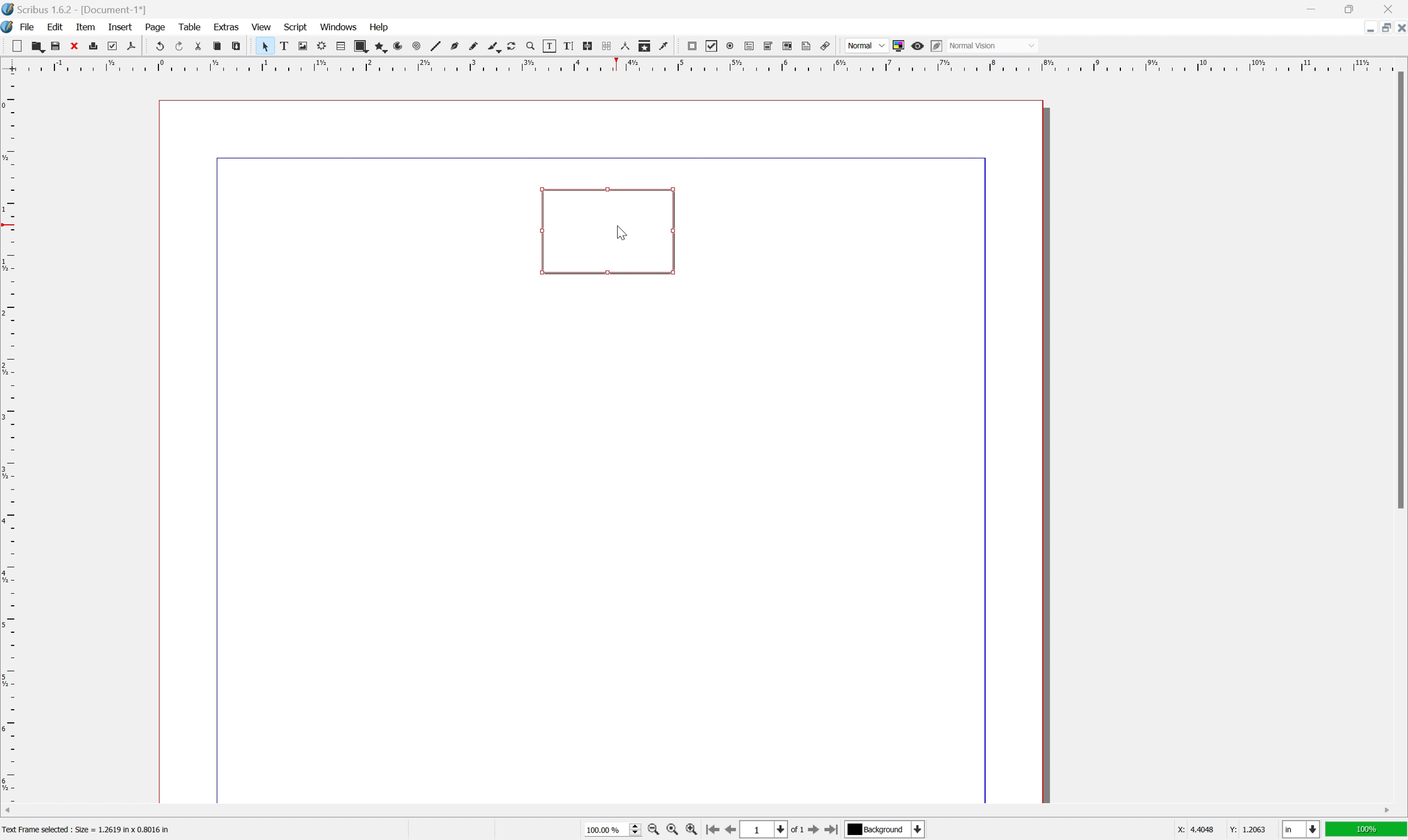  What do you see at coordinates (654, 830) in the screenshot?
I see `zoom out` at bounding box center [654, 830].